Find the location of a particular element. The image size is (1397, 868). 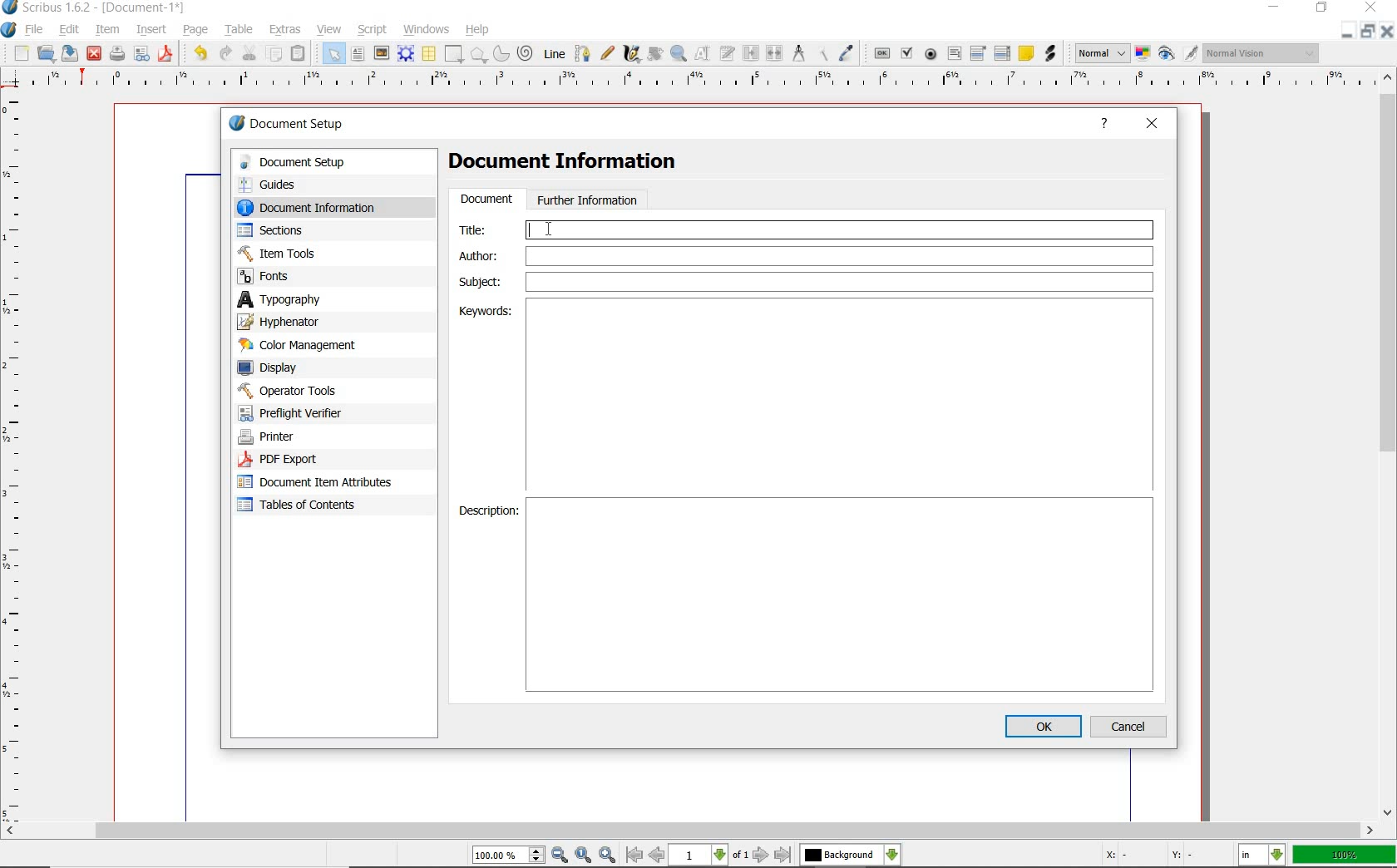

windows is located at coordinates (427, 30).